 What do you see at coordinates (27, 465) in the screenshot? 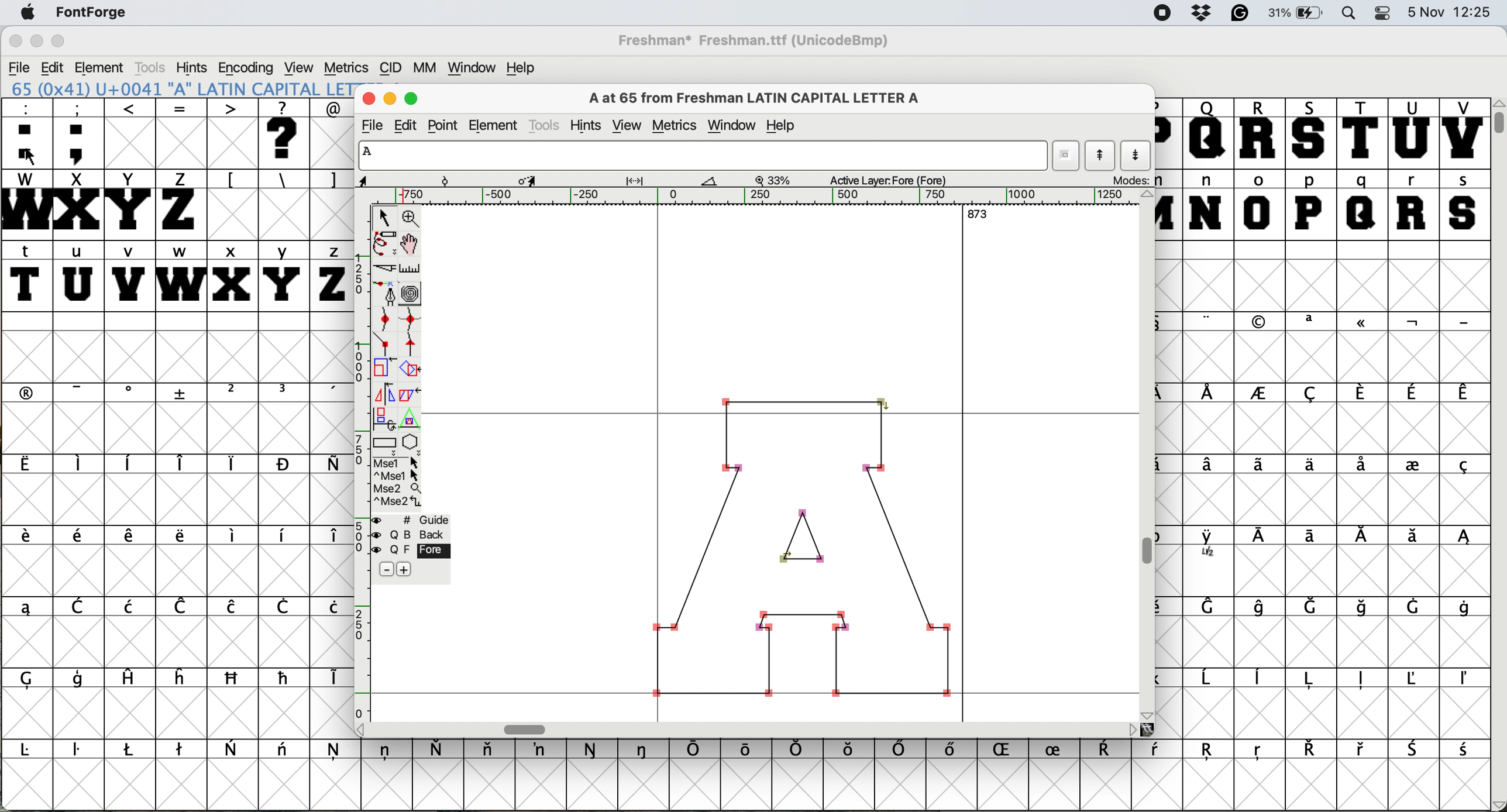
I see `symbol` at bounding box center [27, 465].